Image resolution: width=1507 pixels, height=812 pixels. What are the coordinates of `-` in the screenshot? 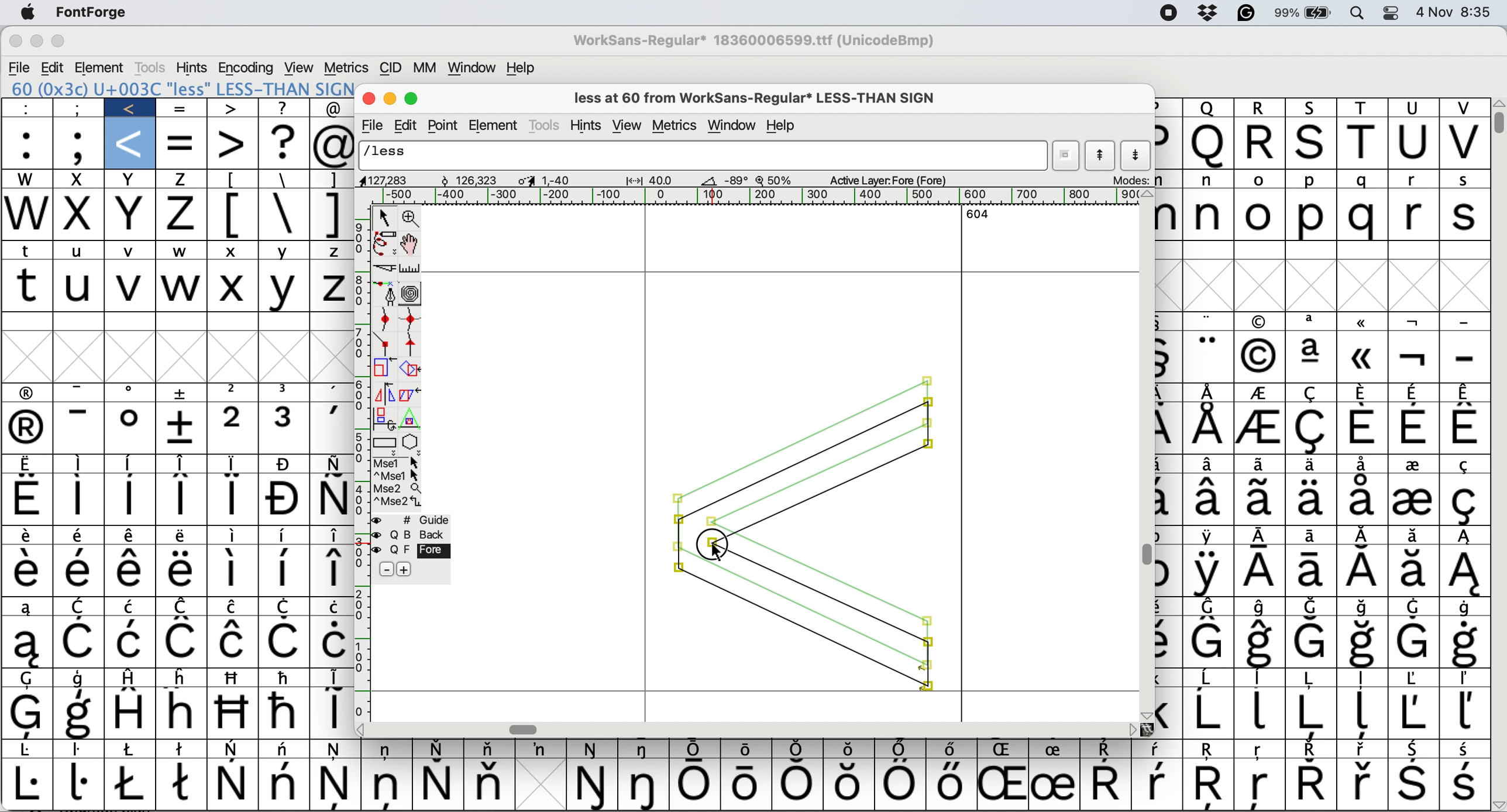 It's located at (1465, 357).